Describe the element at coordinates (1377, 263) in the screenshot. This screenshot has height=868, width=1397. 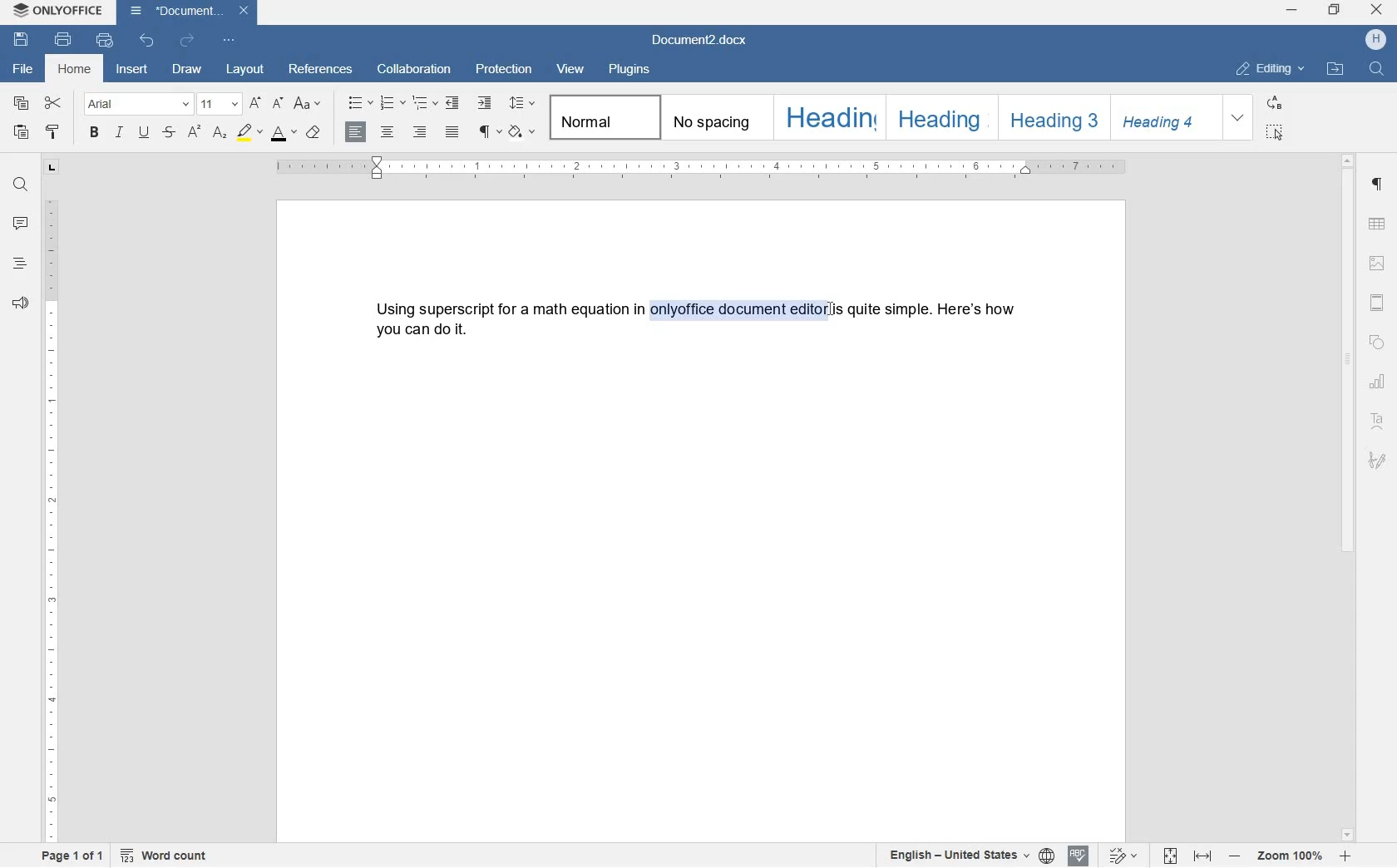
I see `image` at that location.